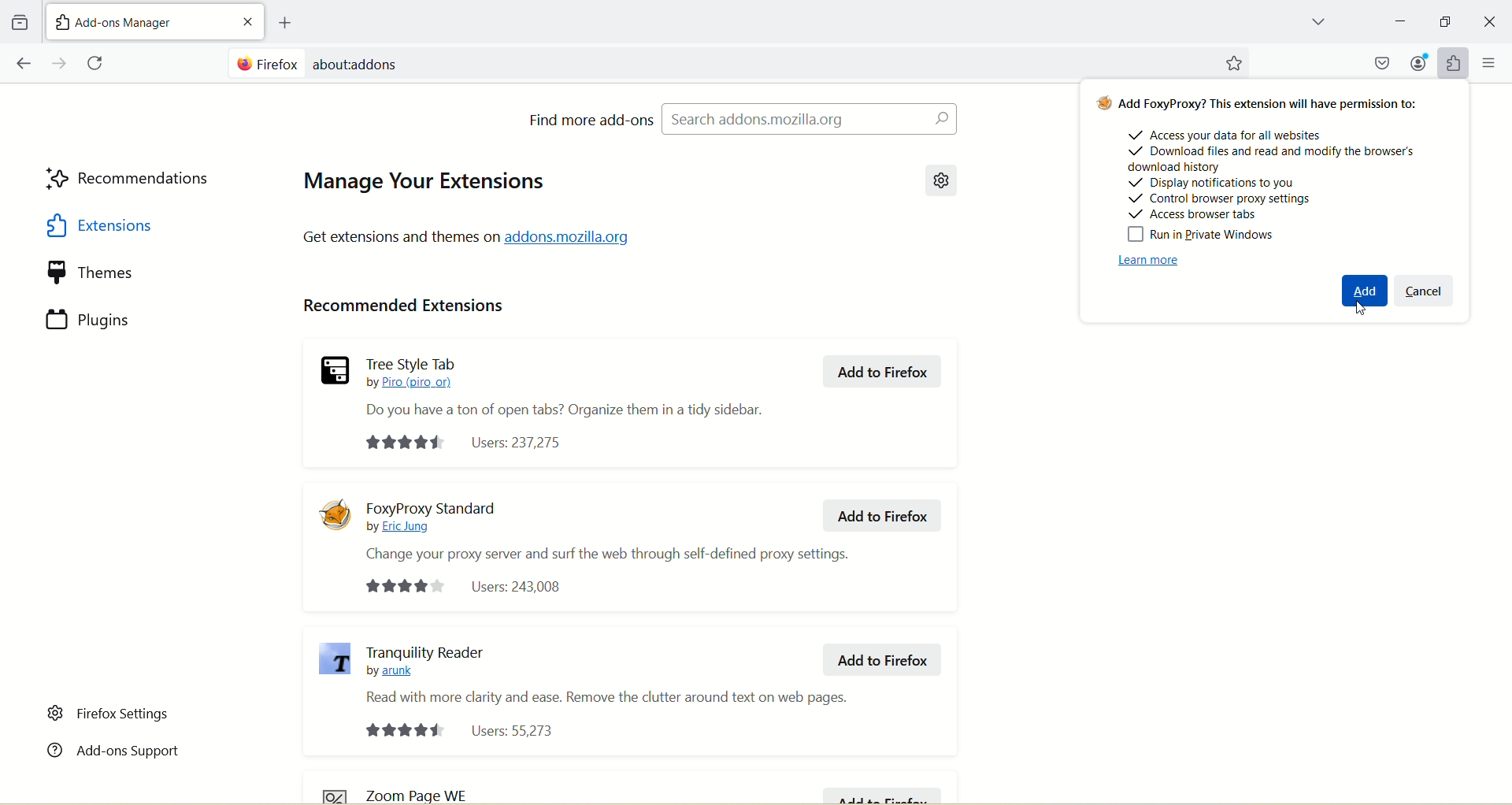  I want to click on Add Page, so click(283, 23).